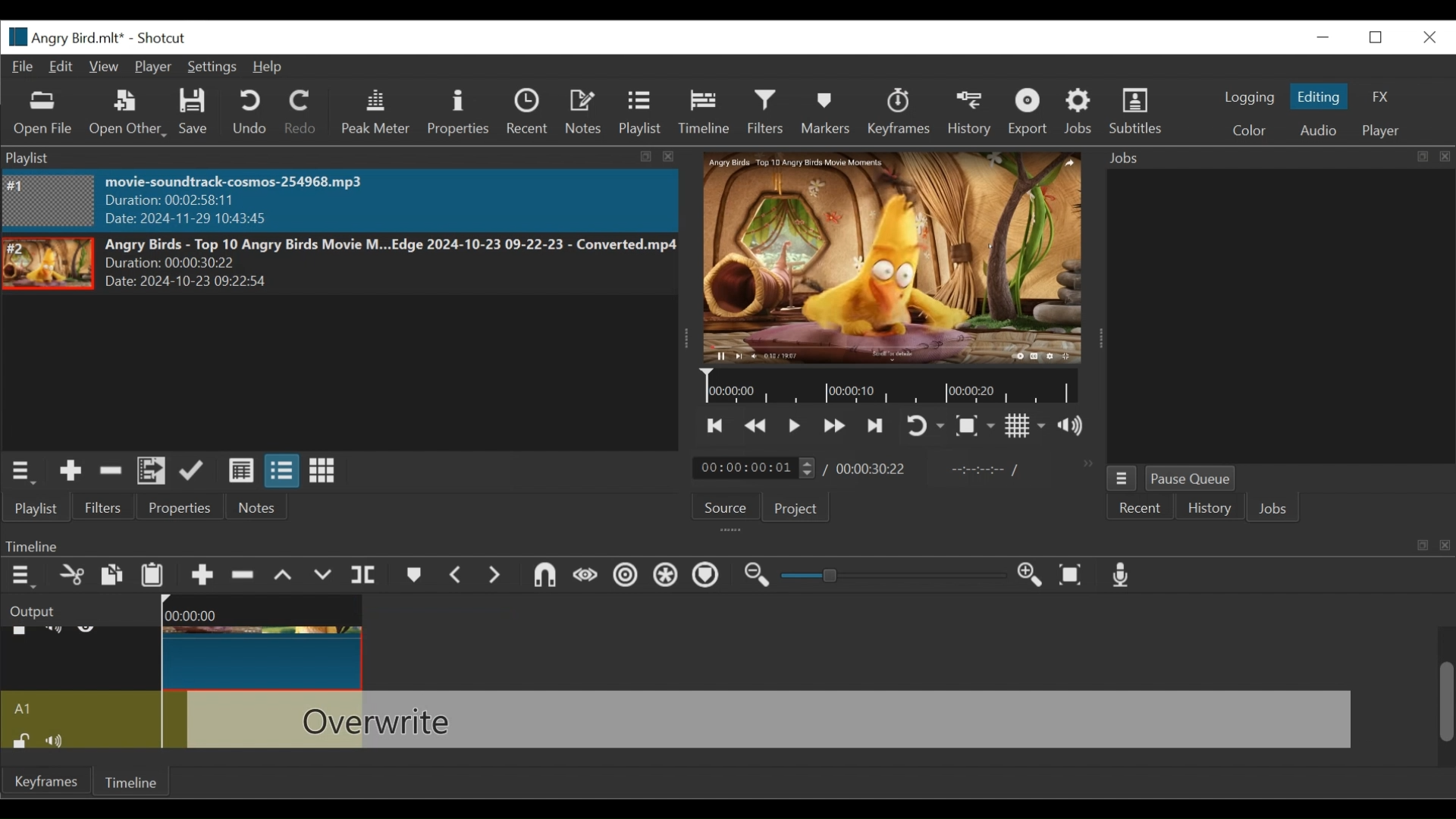 The height and width of the screenshot is (819, 1456). Describe the element at coordinates (894, 577) in the screenshot. I see `Slider` at that location.